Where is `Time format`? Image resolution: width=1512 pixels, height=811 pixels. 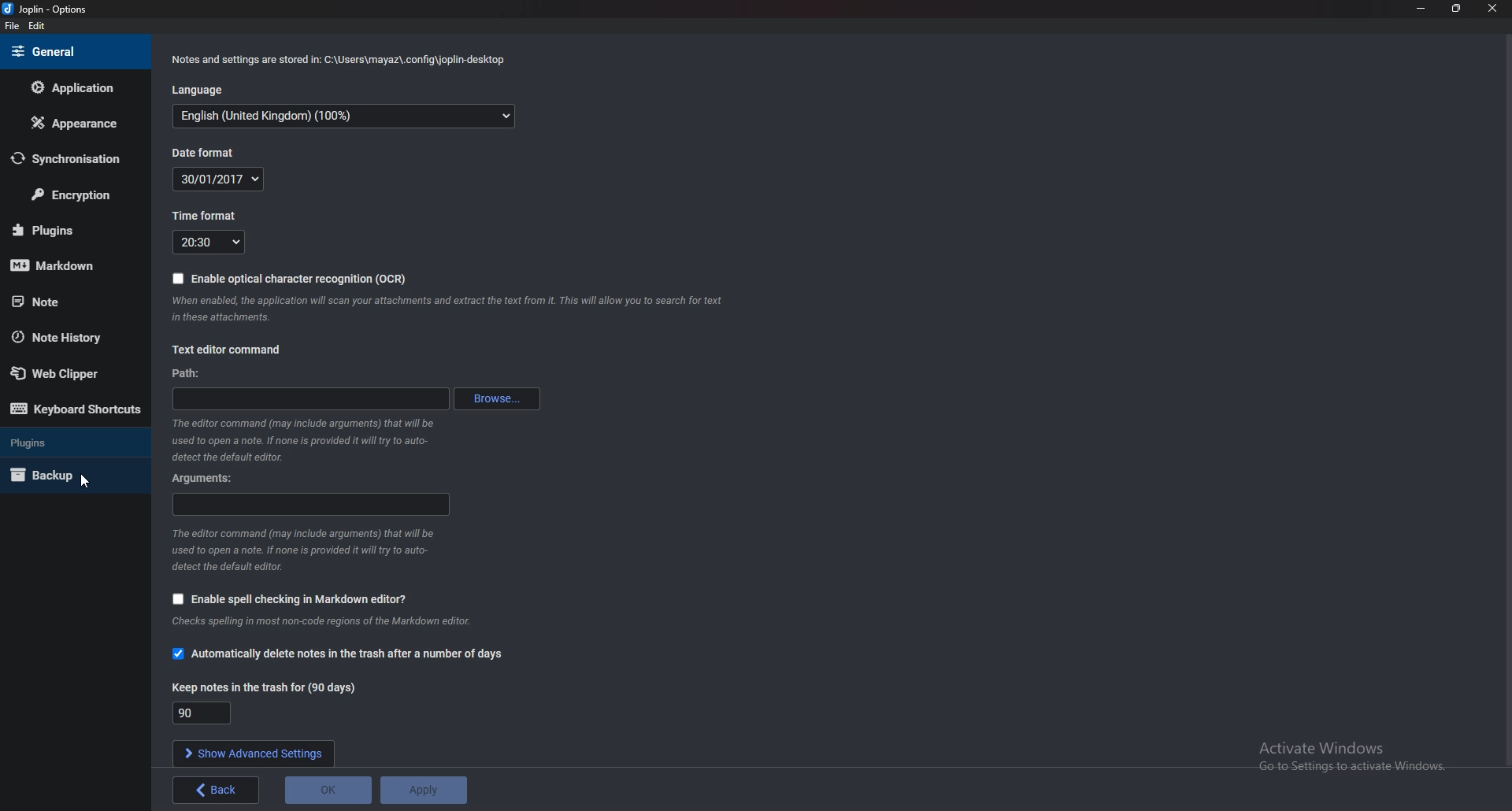 Time format is located at coordinates (208, 214).